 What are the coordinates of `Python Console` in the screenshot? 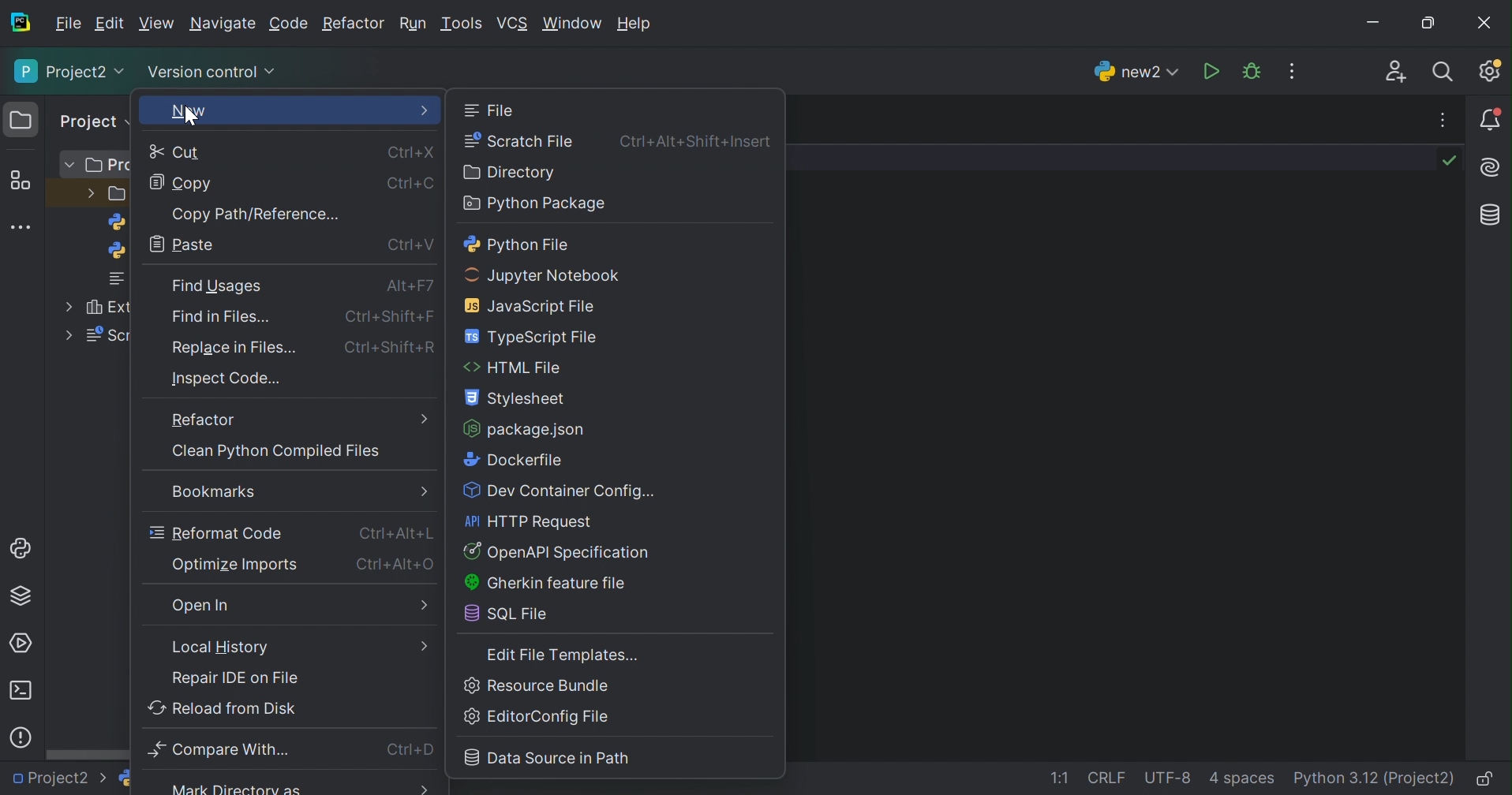 It's located at (20, 547).